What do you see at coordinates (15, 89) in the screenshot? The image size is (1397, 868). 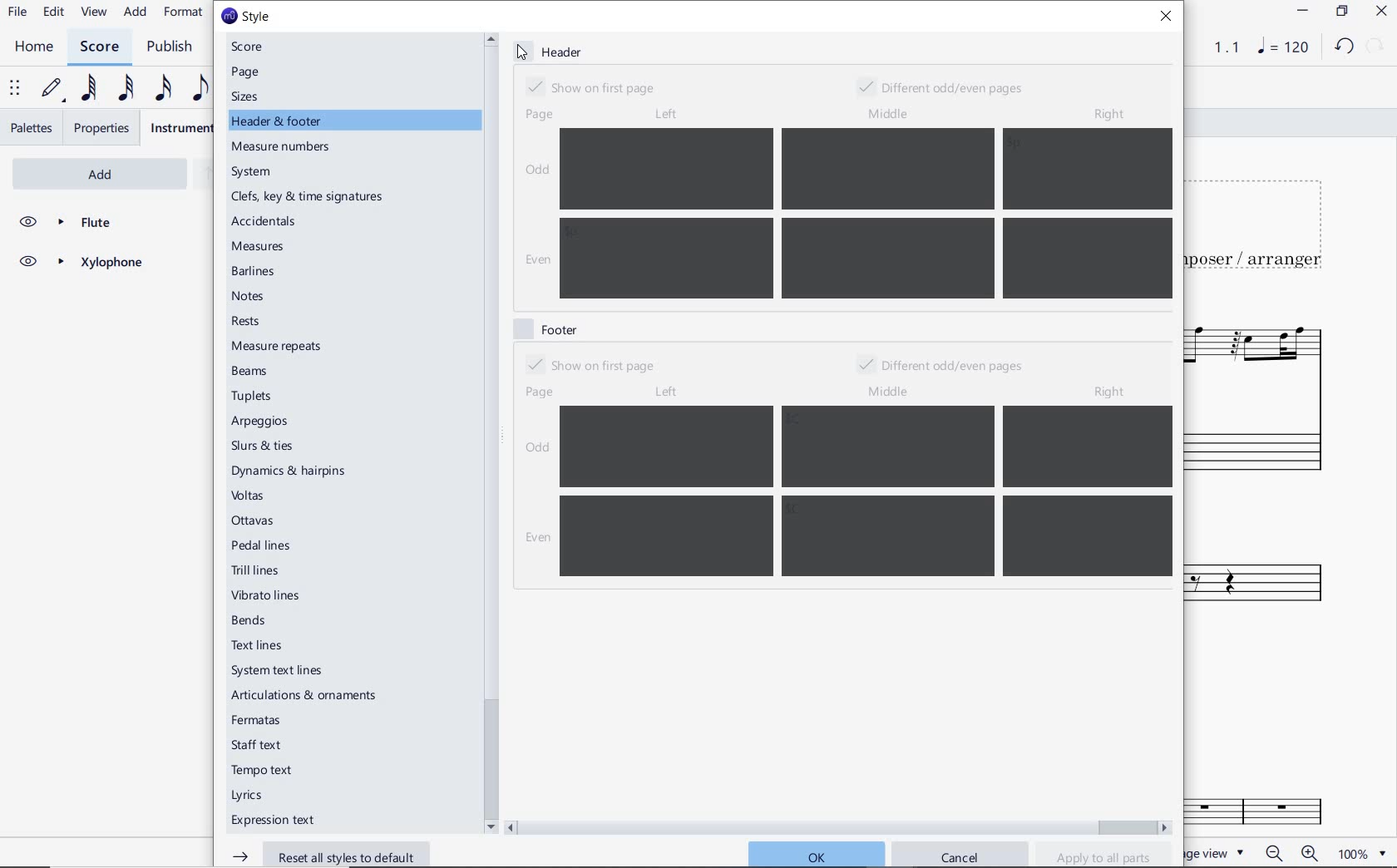 I see `SELECT TO MOVE` at bounding box center [15, 89].